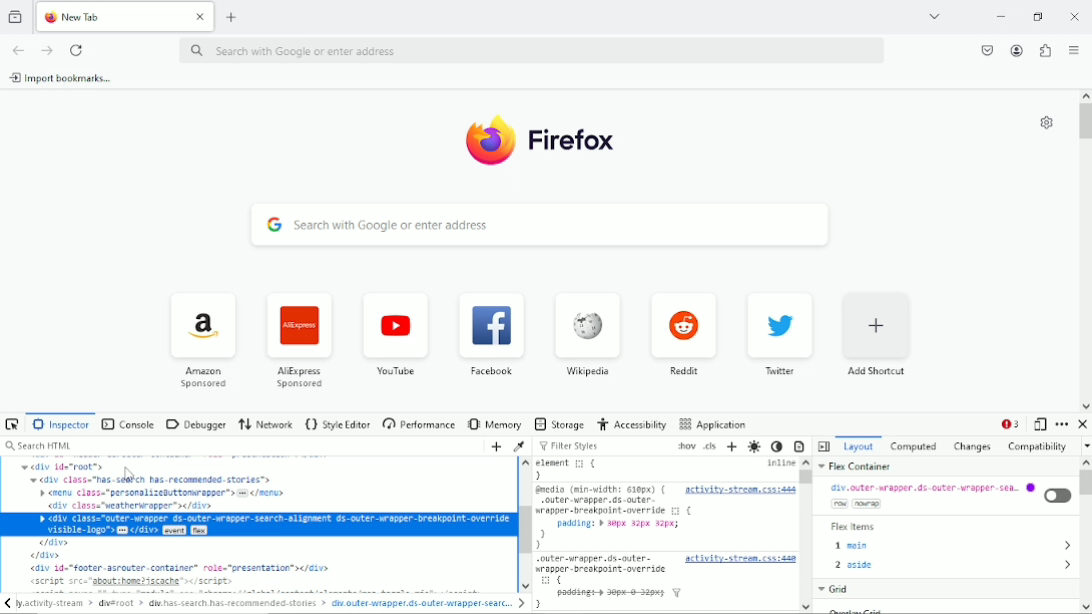  I want to click on down, so click(1084, 446).